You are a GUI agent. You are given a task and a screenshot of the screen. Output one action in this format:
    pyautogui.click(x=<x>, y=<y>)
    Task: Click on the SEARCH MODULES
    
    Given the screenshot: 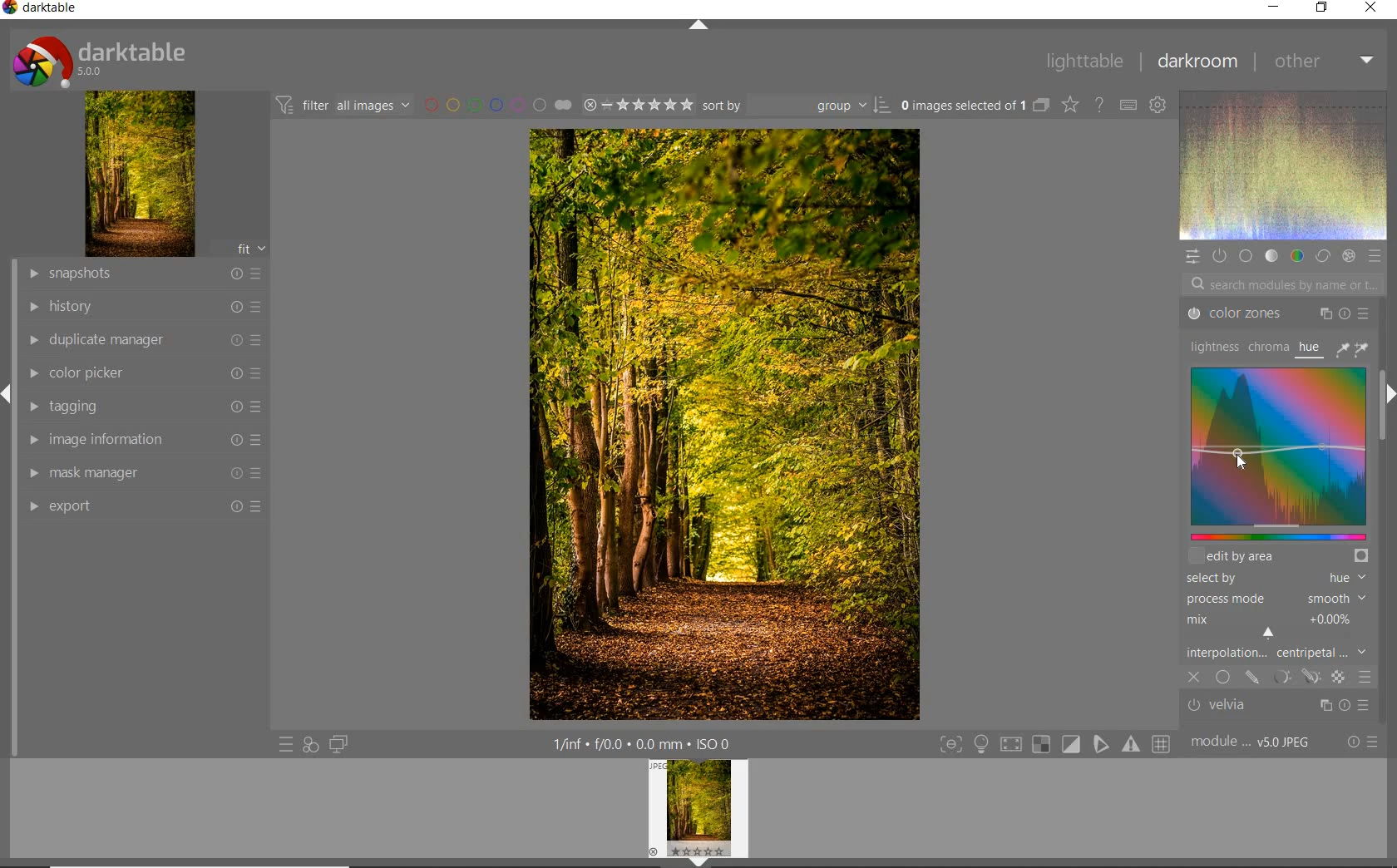 What is the action you would take?
    pyautogui.click(x=1283, y=284)
    